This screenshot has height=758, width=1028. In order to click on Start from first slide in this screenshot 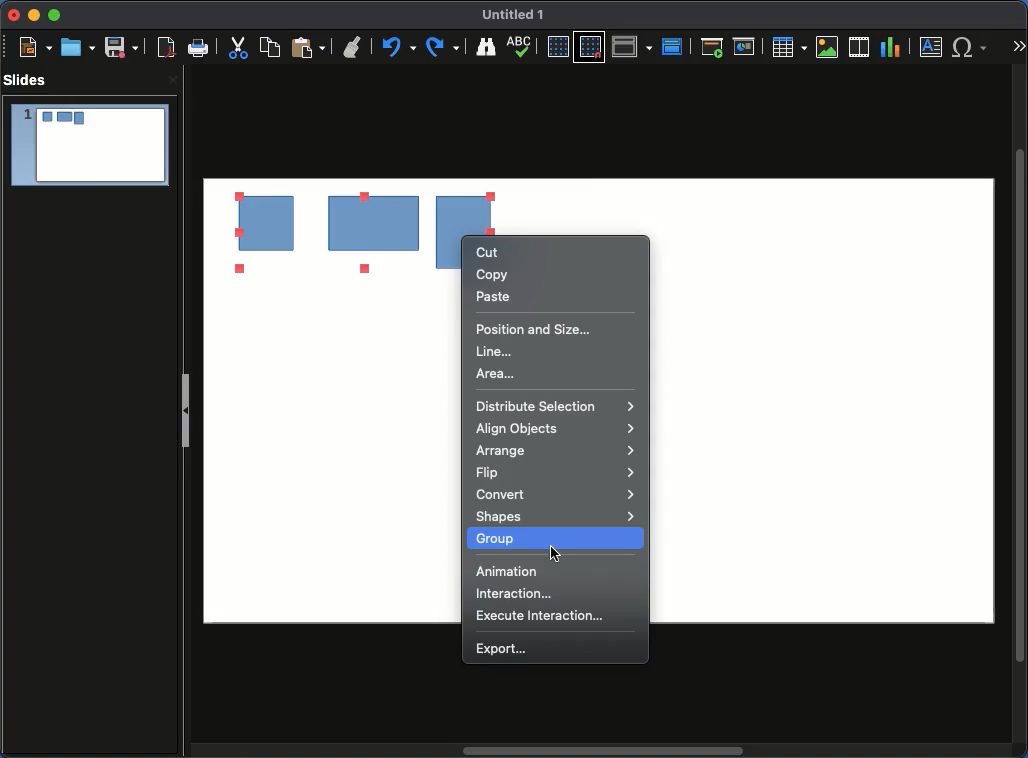, I will do `click(712, 47)`.